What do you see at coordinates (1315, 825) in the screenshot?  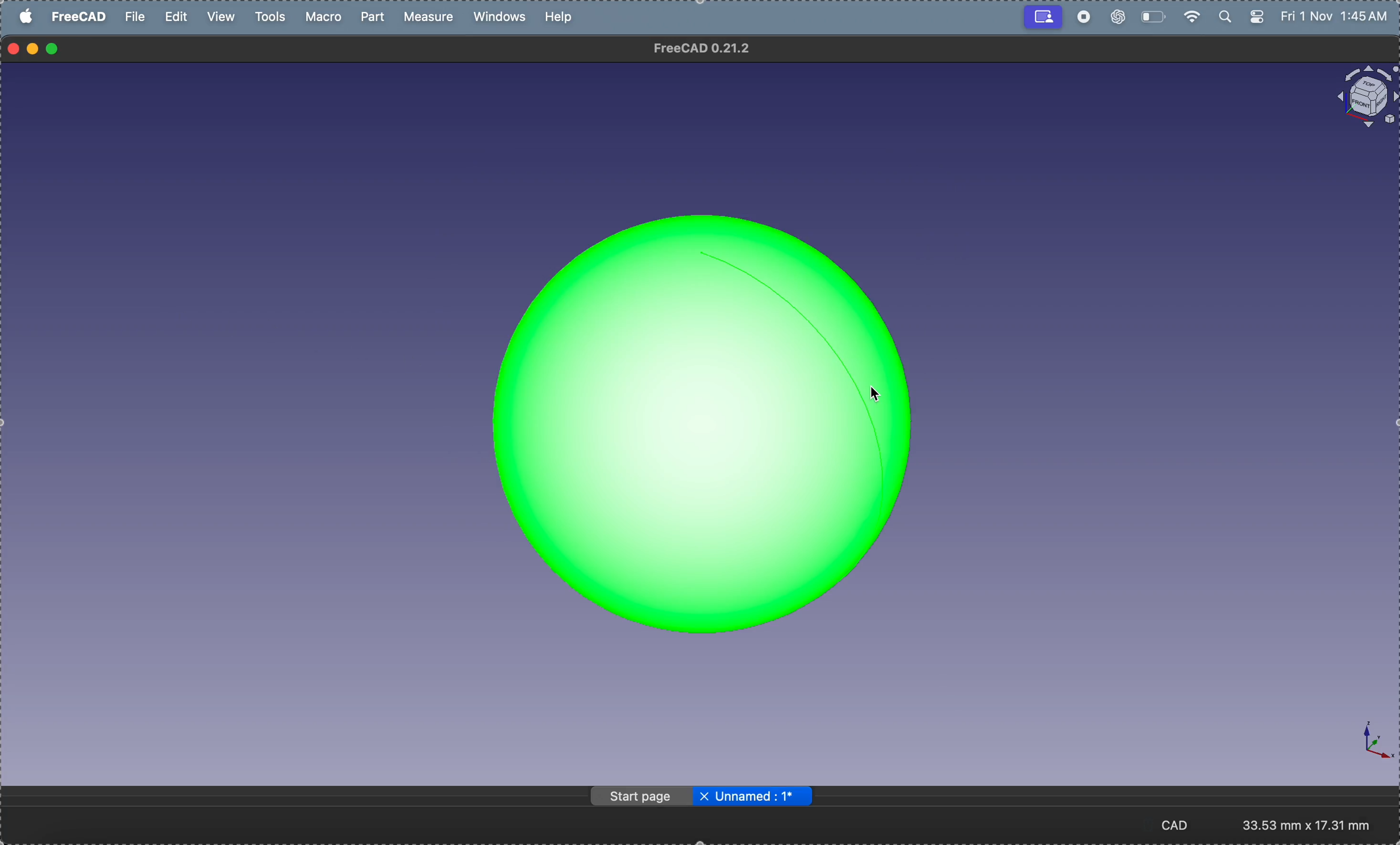 I see `aspect ratio- 33:53mm x 17.31mm` at bounding box center [1315, 825].